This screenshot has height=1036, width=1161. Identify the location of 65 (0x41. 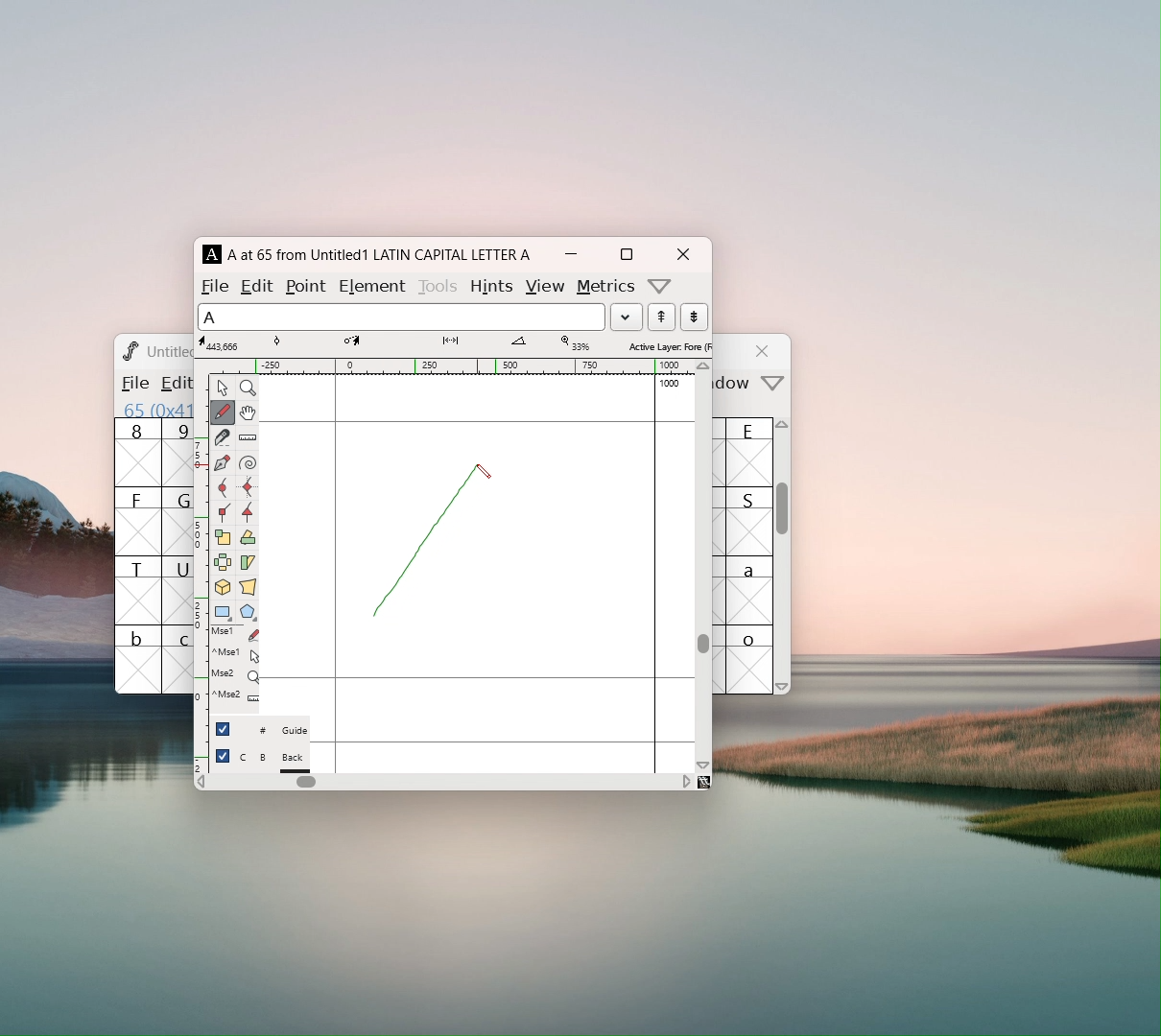
(154, 409).